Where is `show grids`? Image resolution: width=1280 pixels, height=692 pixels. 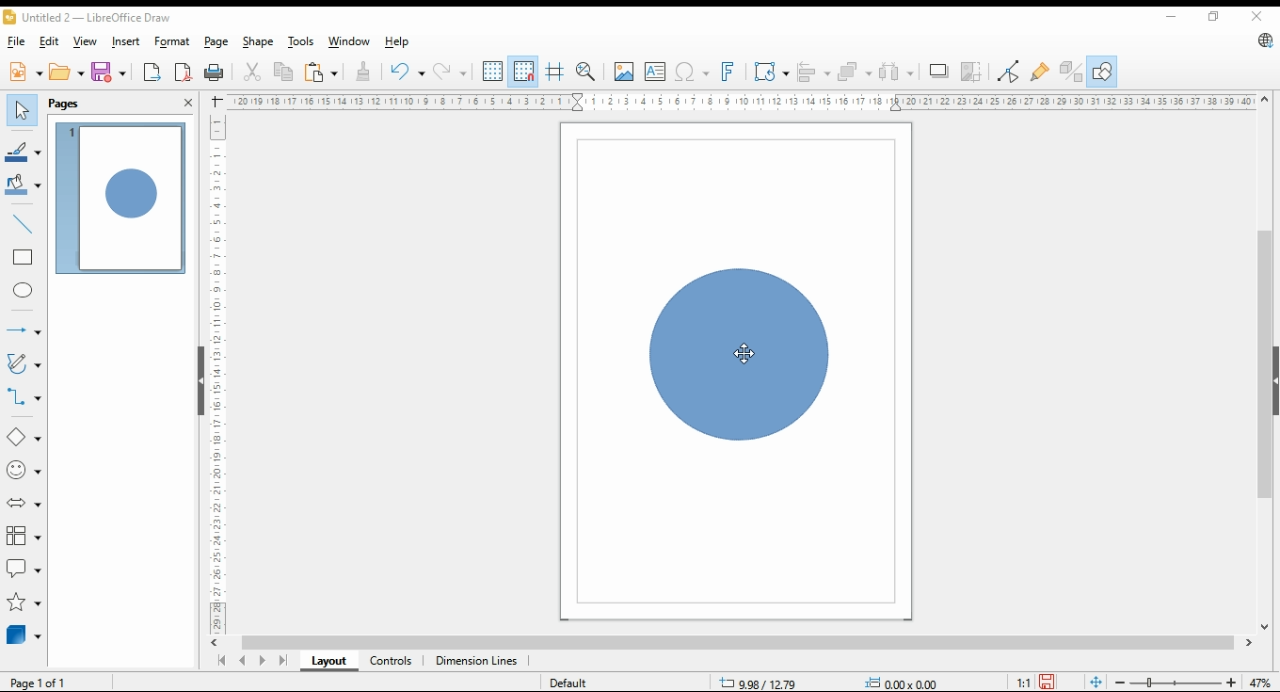 show grids is located at coordinates (493, 72).